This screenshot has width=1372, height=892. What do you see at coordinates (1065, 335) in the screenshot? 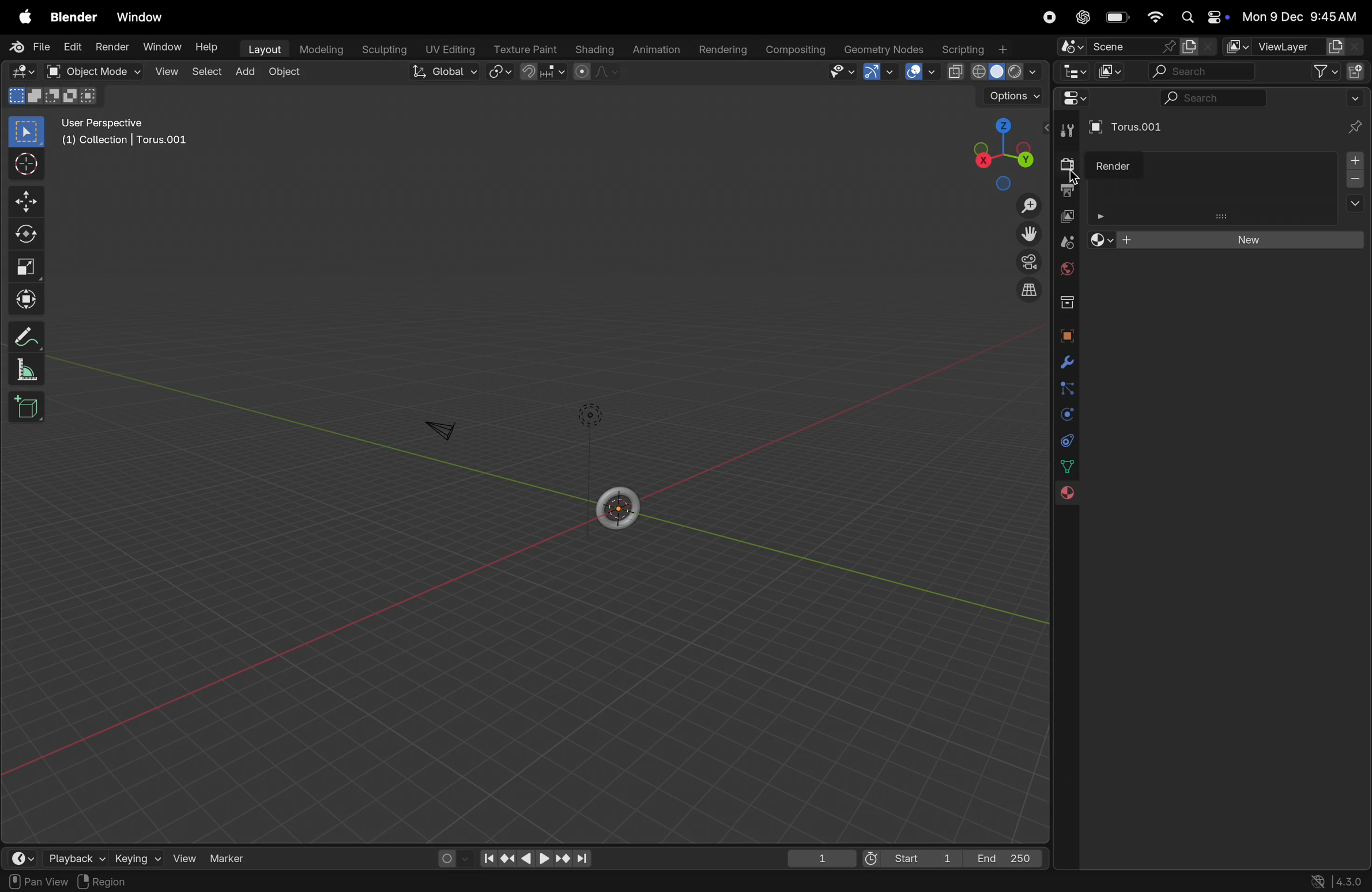
I see `object` at bounding box center [1065, 335].